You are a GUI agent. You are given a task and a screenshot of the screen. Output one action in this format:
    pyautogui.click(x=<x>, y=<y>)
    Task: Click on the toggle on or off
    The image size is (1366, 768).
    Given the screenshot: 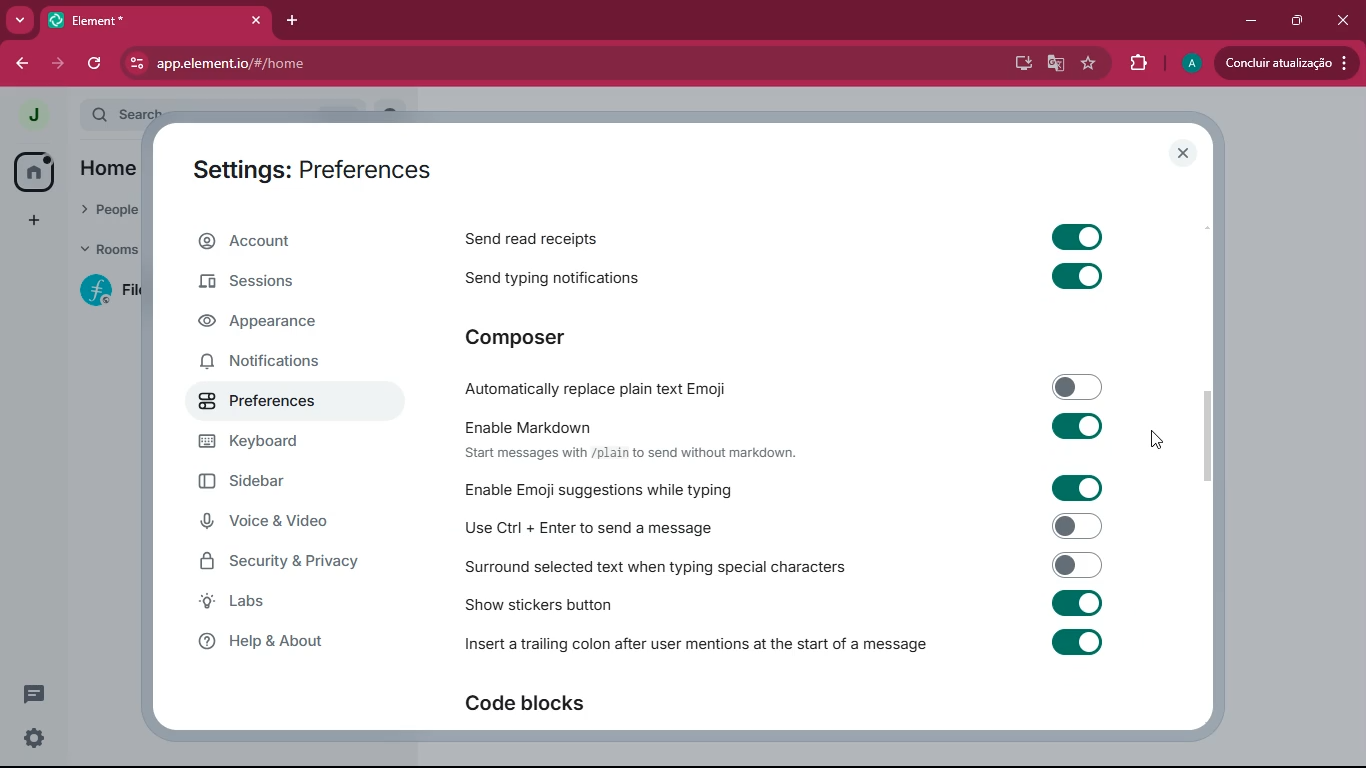 What is the action you would take?
    pyautogui.click(x=1075, y=237)
    